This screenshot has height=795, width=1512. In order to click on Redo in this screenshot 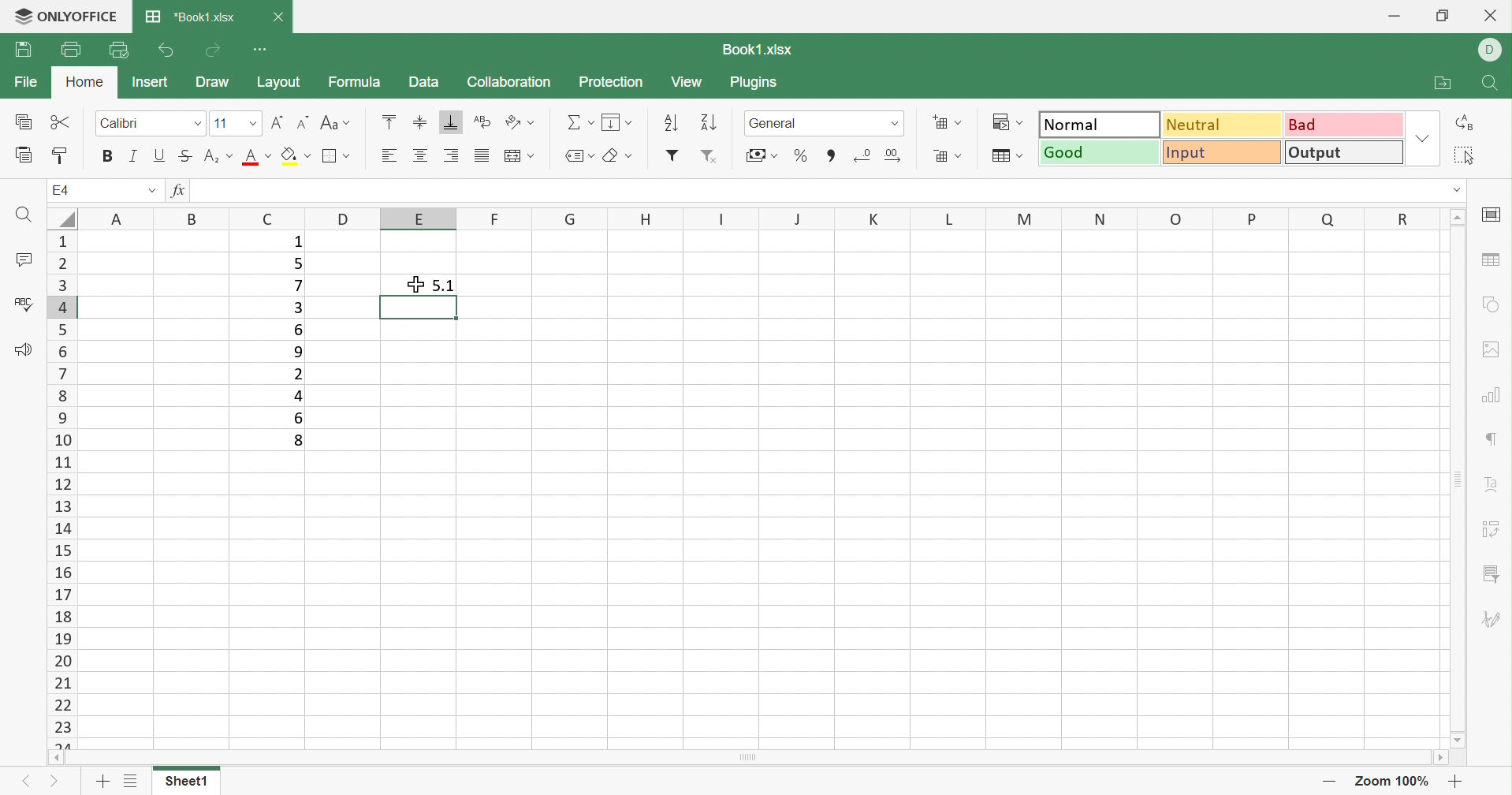, I will do `click(212, 52)`.